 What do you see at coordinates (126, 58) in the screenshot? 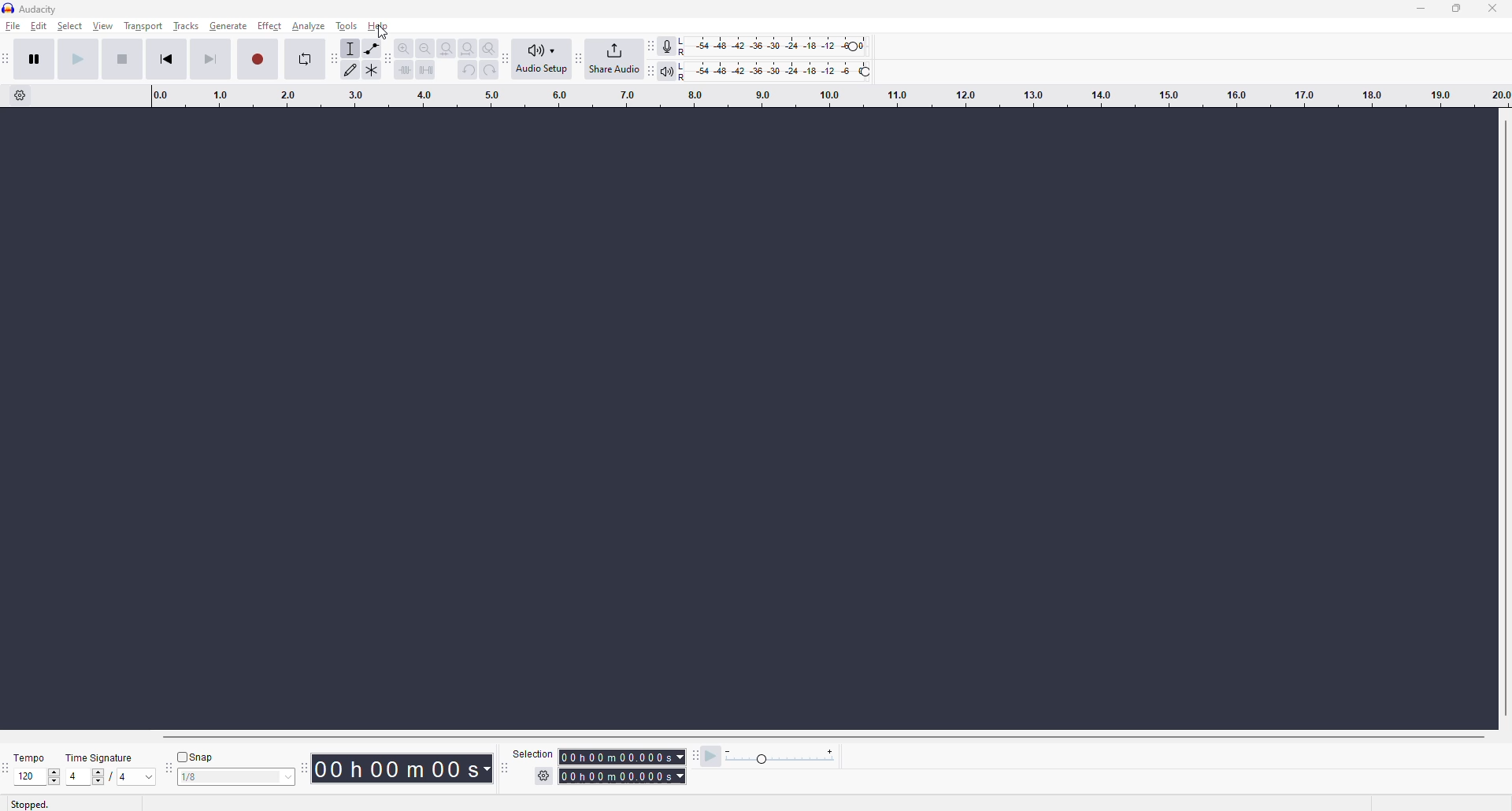
I see `stop` at bounding box center [126, 58].